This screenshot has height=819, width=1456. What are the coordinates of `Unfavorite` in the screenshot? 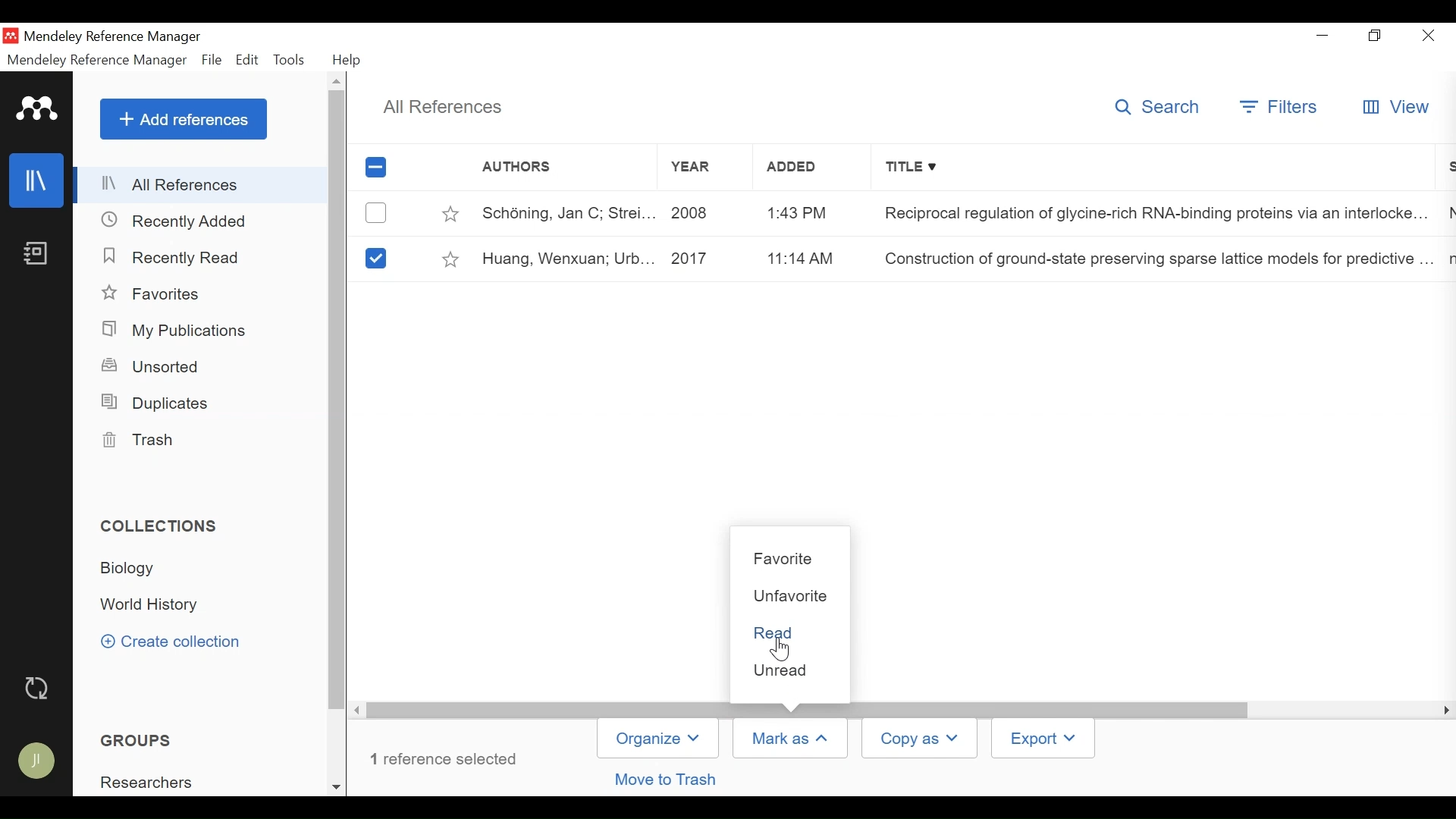 It's located at (792, 596).